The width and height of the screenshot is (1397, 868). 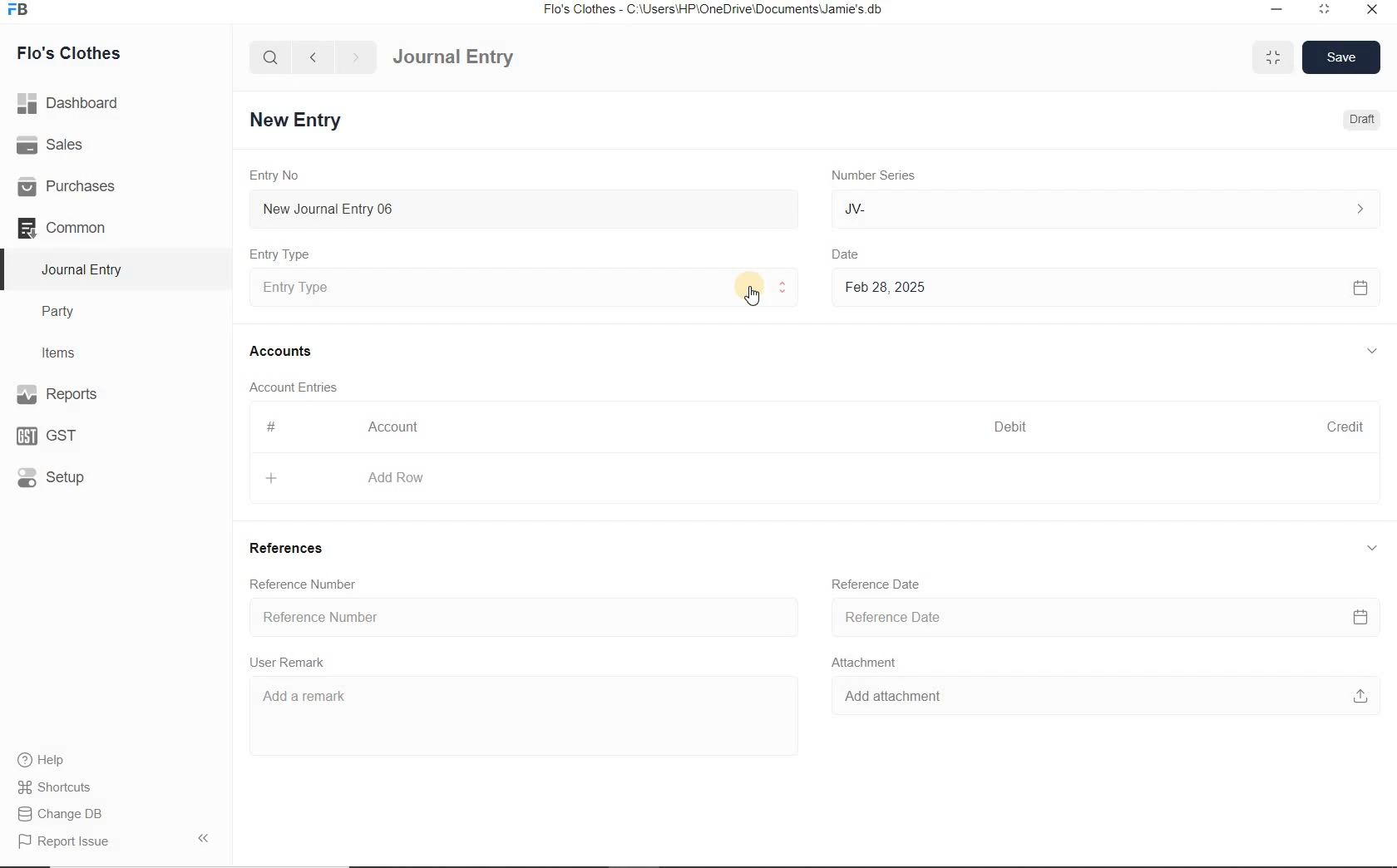 What do you see at coordinates (308, 584) in the screenshot?
I see `Reference Number` at bounding box center [308, 584].